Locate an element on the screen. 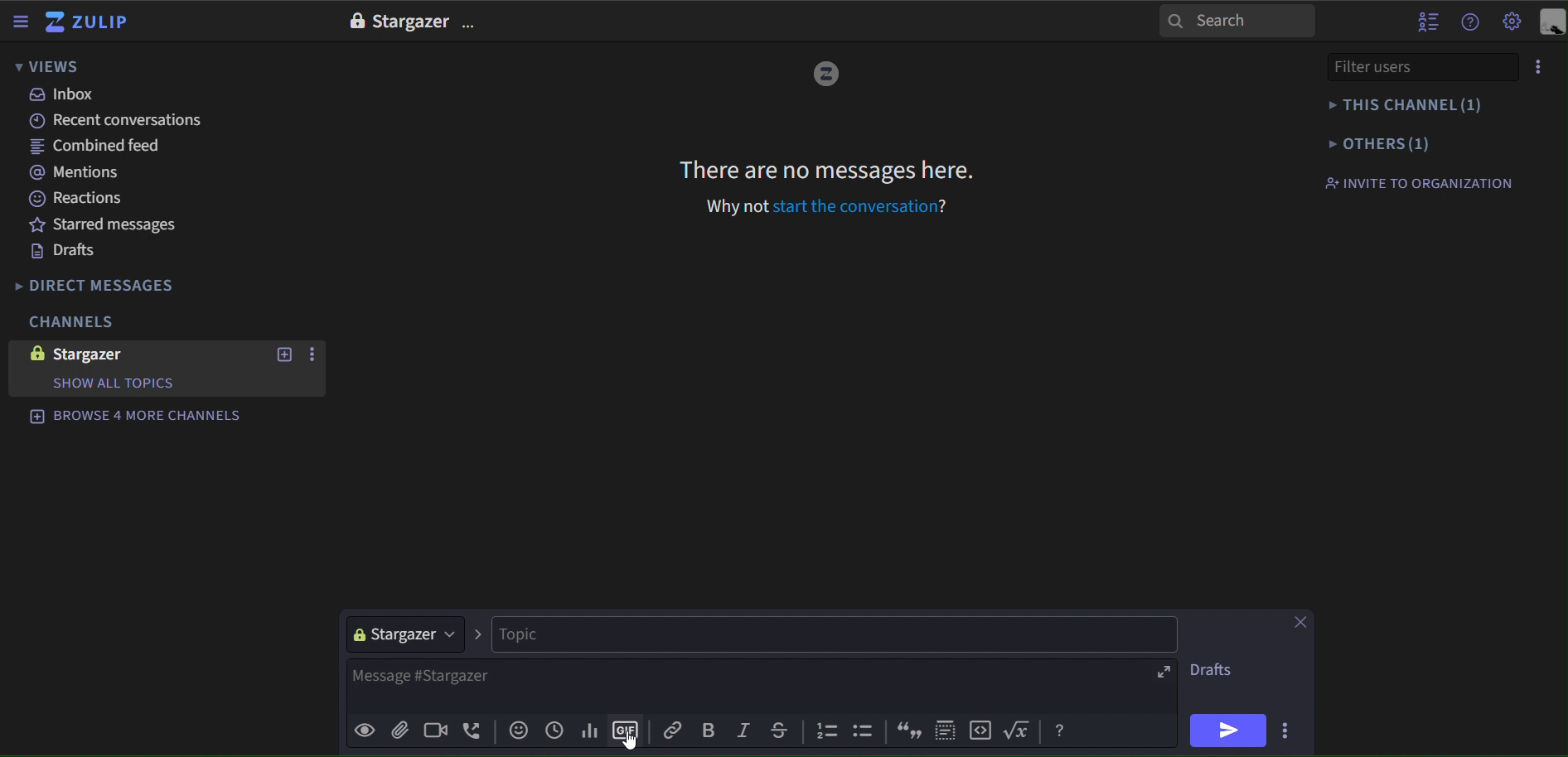 The height and width of the screenshot is (757, 1568). icon is located at coordinates (946, 727).